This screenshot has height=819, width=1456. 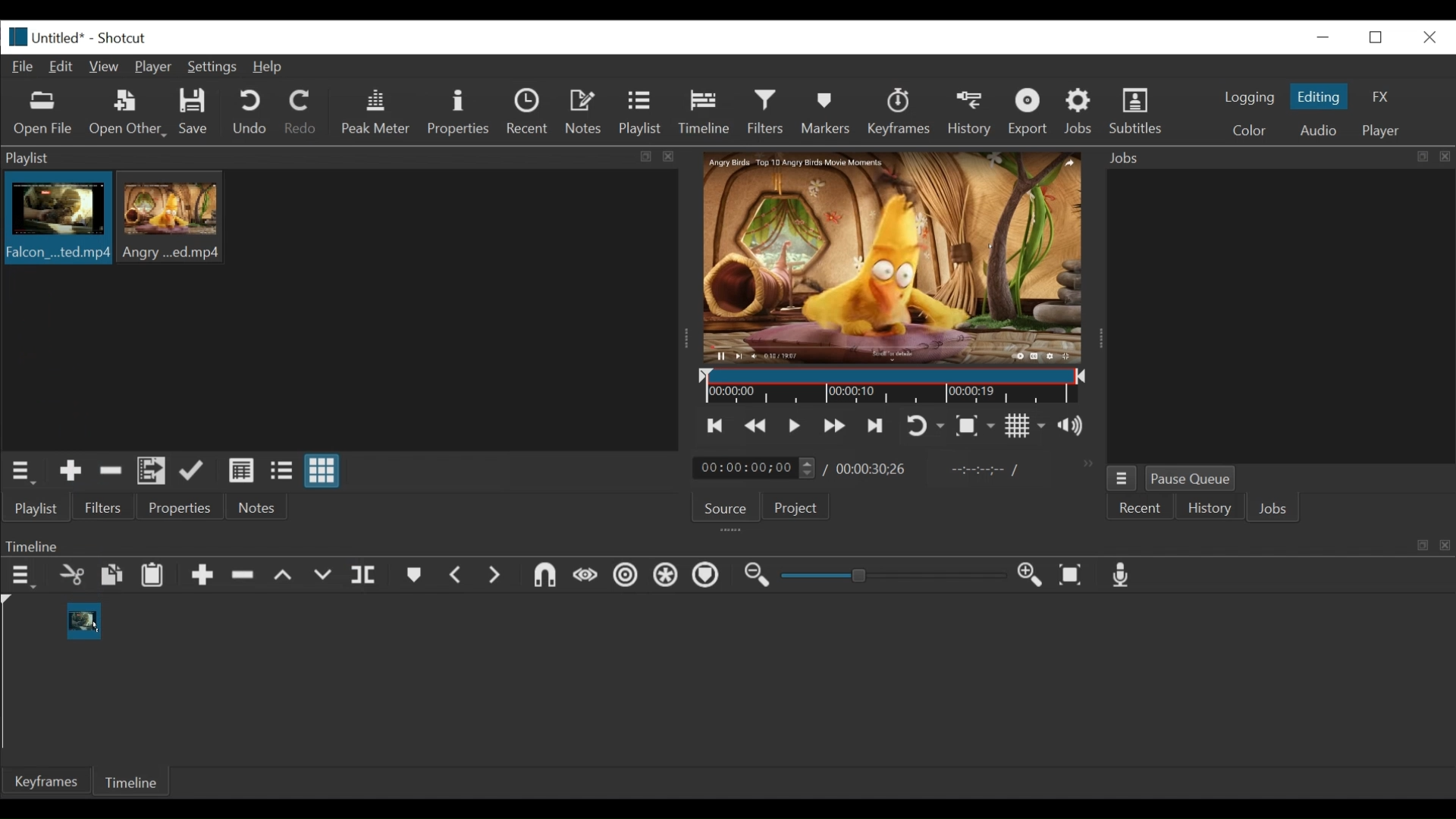 What do you see at coordinates (531, 114) in the screenshot?
I see `Recent` at bounding box center [531, 114].